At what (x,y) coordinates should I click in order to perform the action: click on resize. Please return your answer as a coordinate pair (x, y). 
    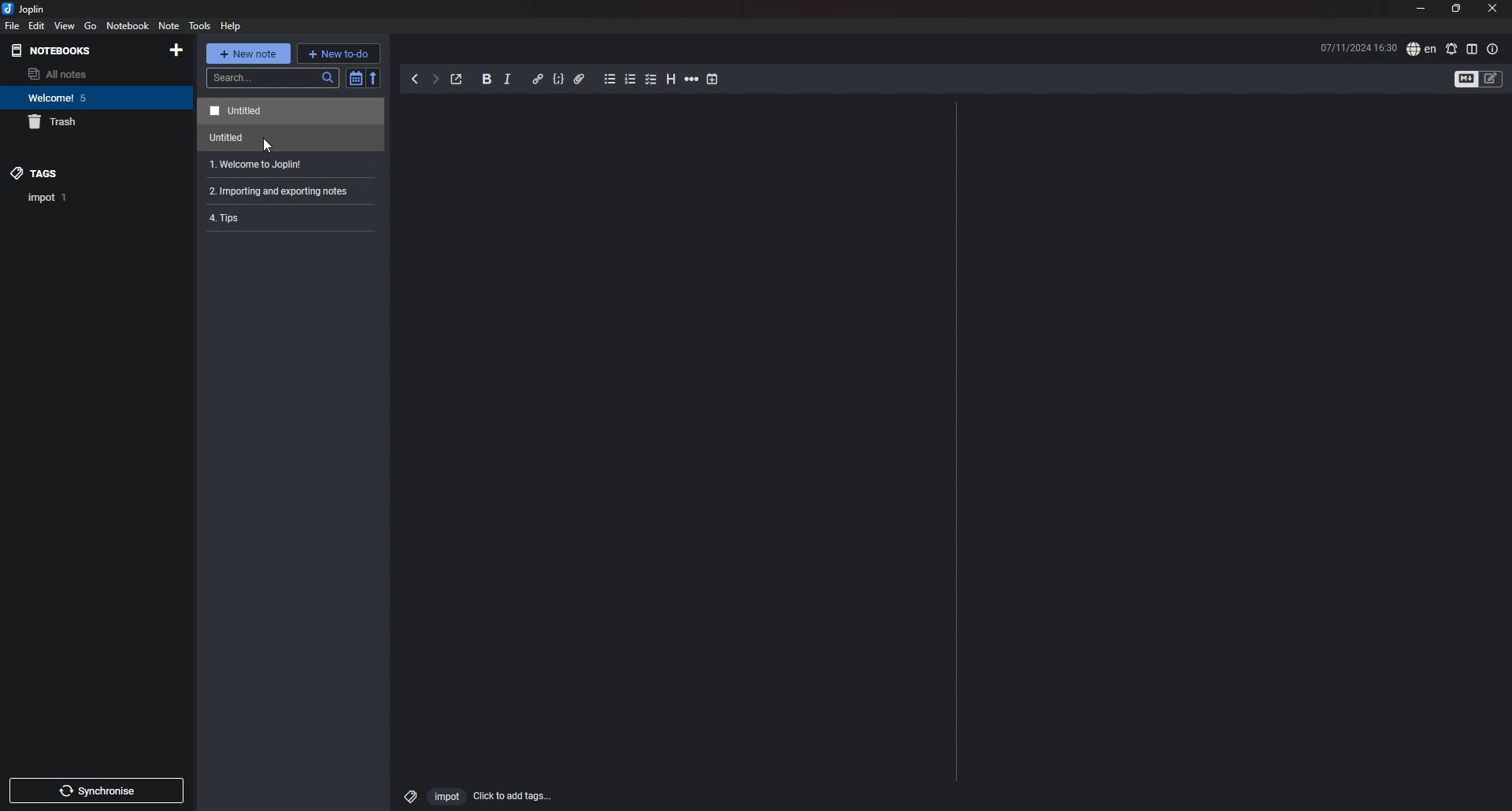
    Looking at the image, I should click on (1455, 9).